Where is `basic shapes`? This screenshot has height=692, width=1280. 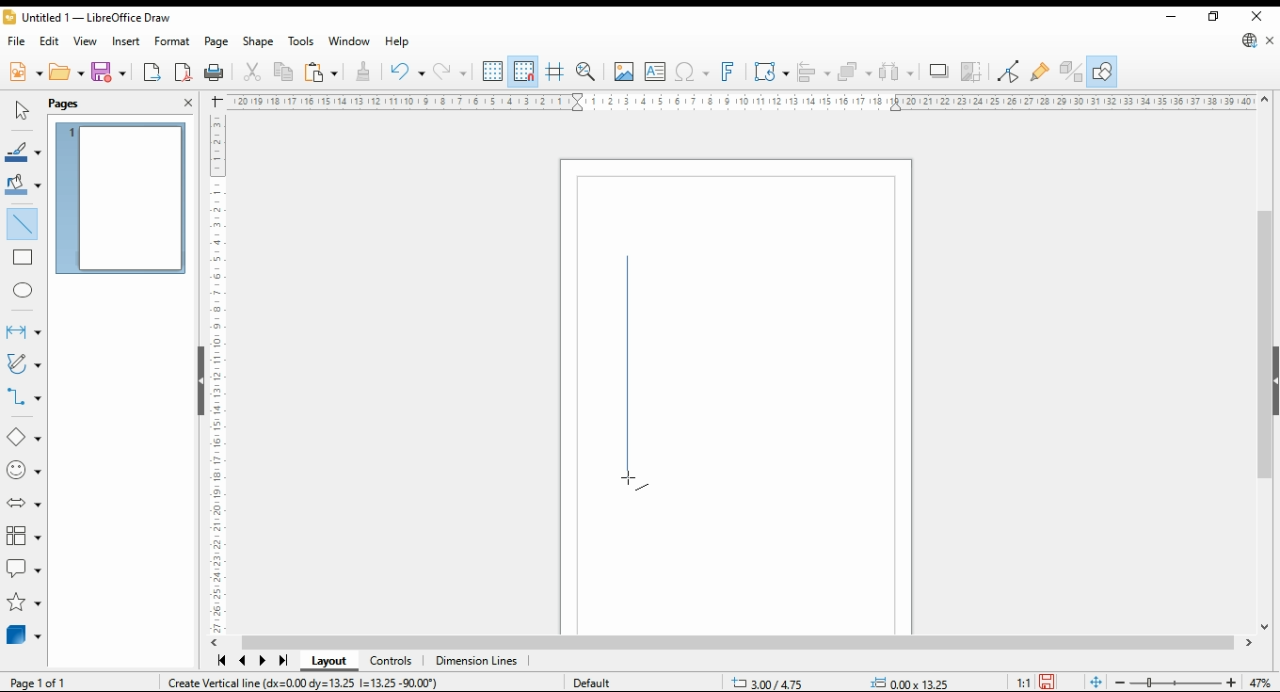
basic shapes is located at coordinates (20, 438).